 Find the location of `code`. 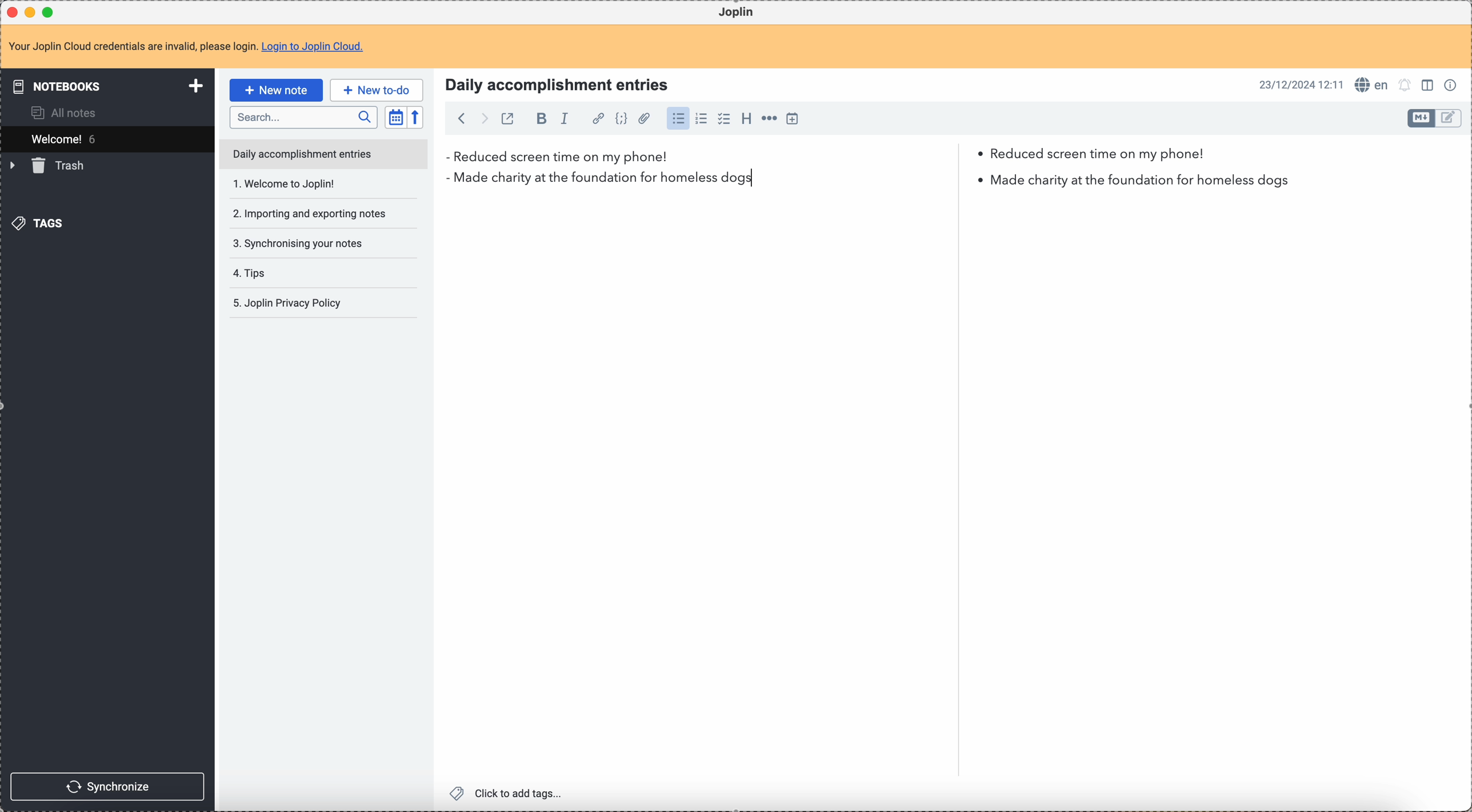

code is located at coordinates (621, 119).